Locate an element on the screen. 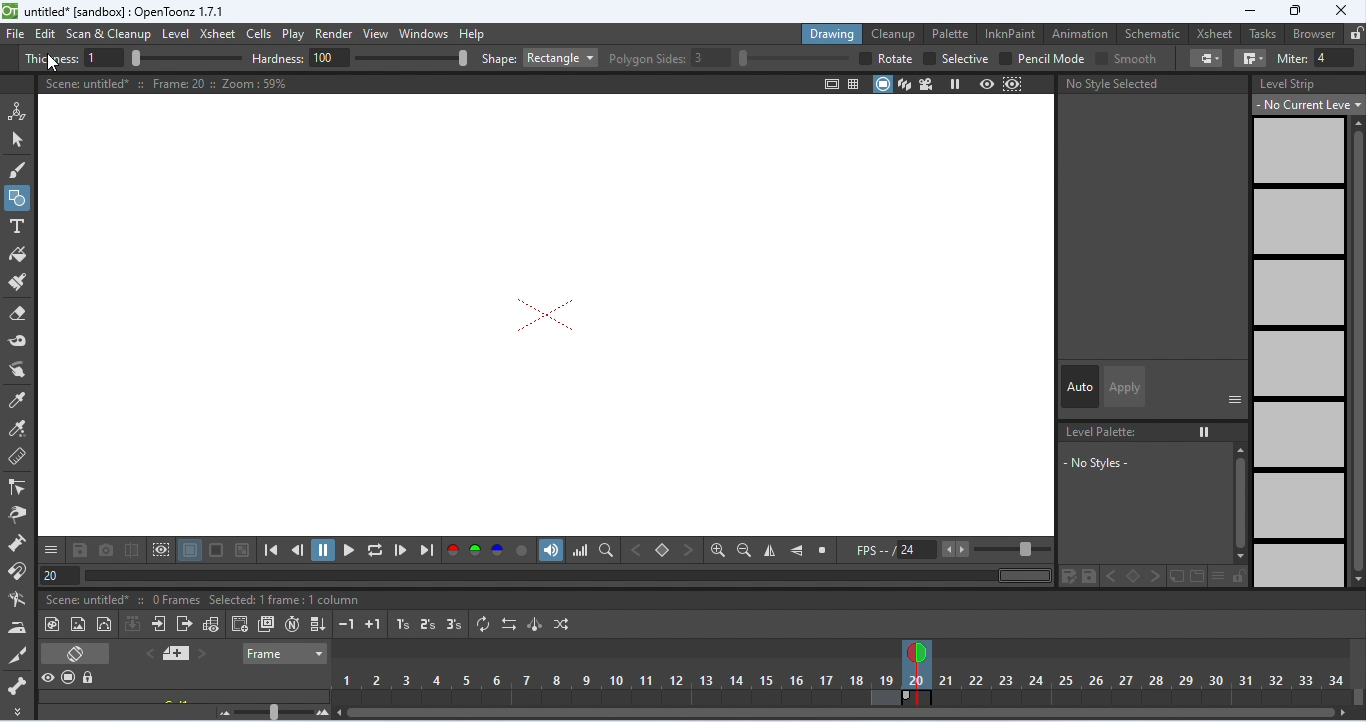 This screenshot has width=1366, height=722. pencil mode is located at coordinates (1041, 59).